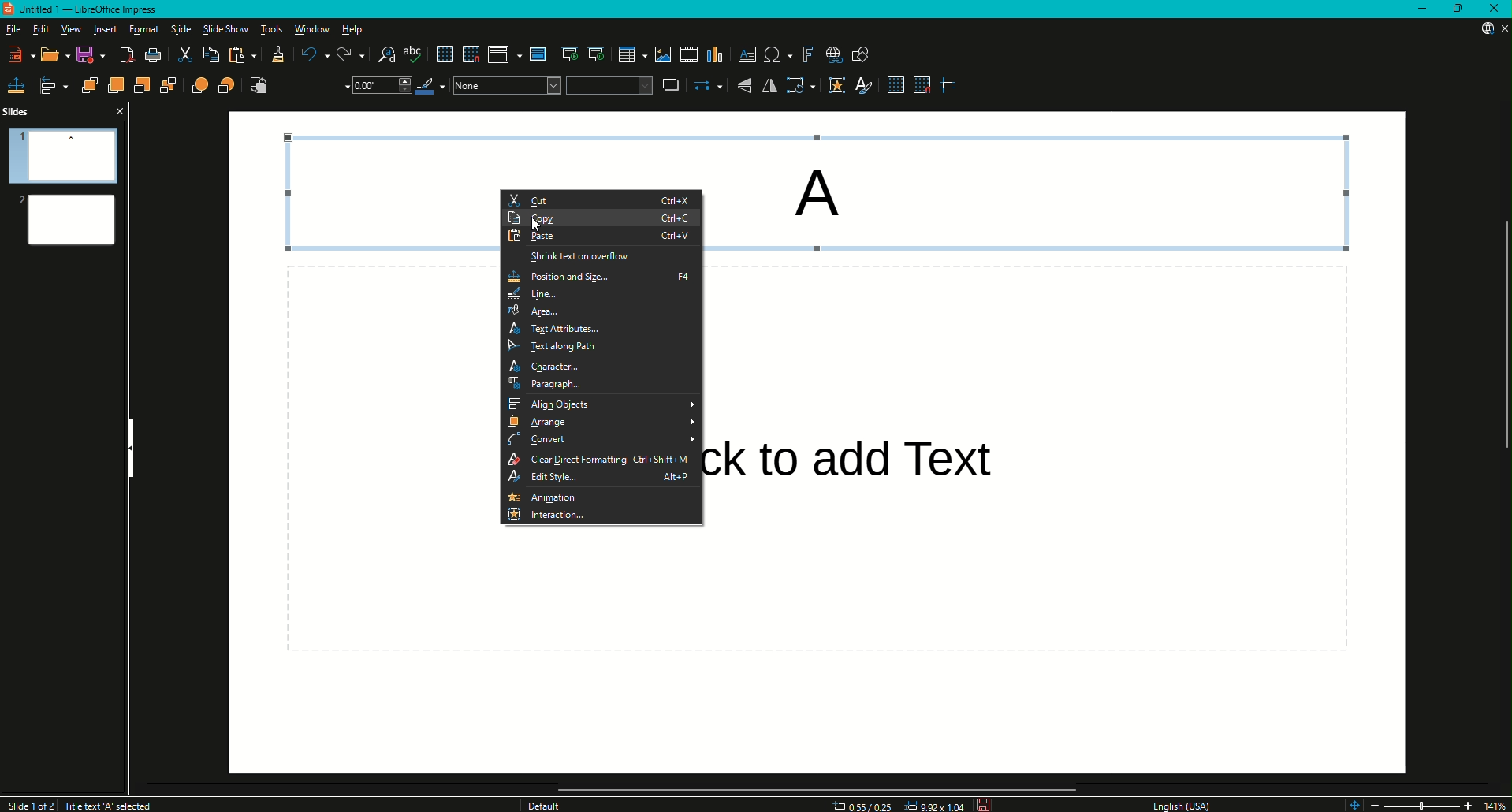 The height and width of the screenshot is (812, 1512). Describe the element at coordinates (274, 30) in the screenshot. I see `Tools` at that location.